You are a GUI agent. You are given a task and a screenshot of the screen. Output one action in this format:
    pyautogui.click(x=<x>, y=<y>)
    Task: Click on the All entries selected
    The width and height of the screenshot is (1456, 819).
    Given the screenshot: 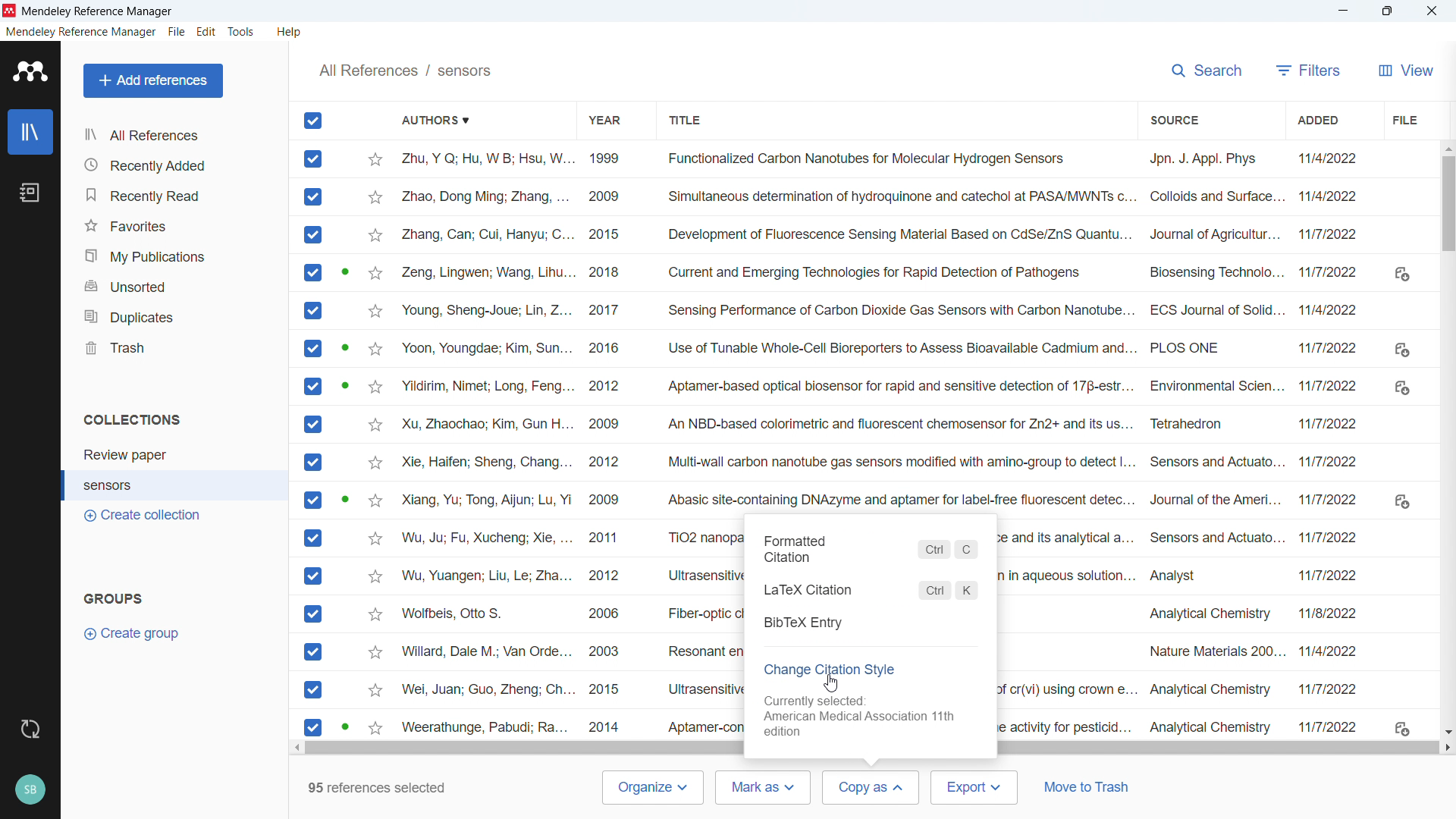 What is the action you would take?
    pyautogui.click(x=312, y=424)
    